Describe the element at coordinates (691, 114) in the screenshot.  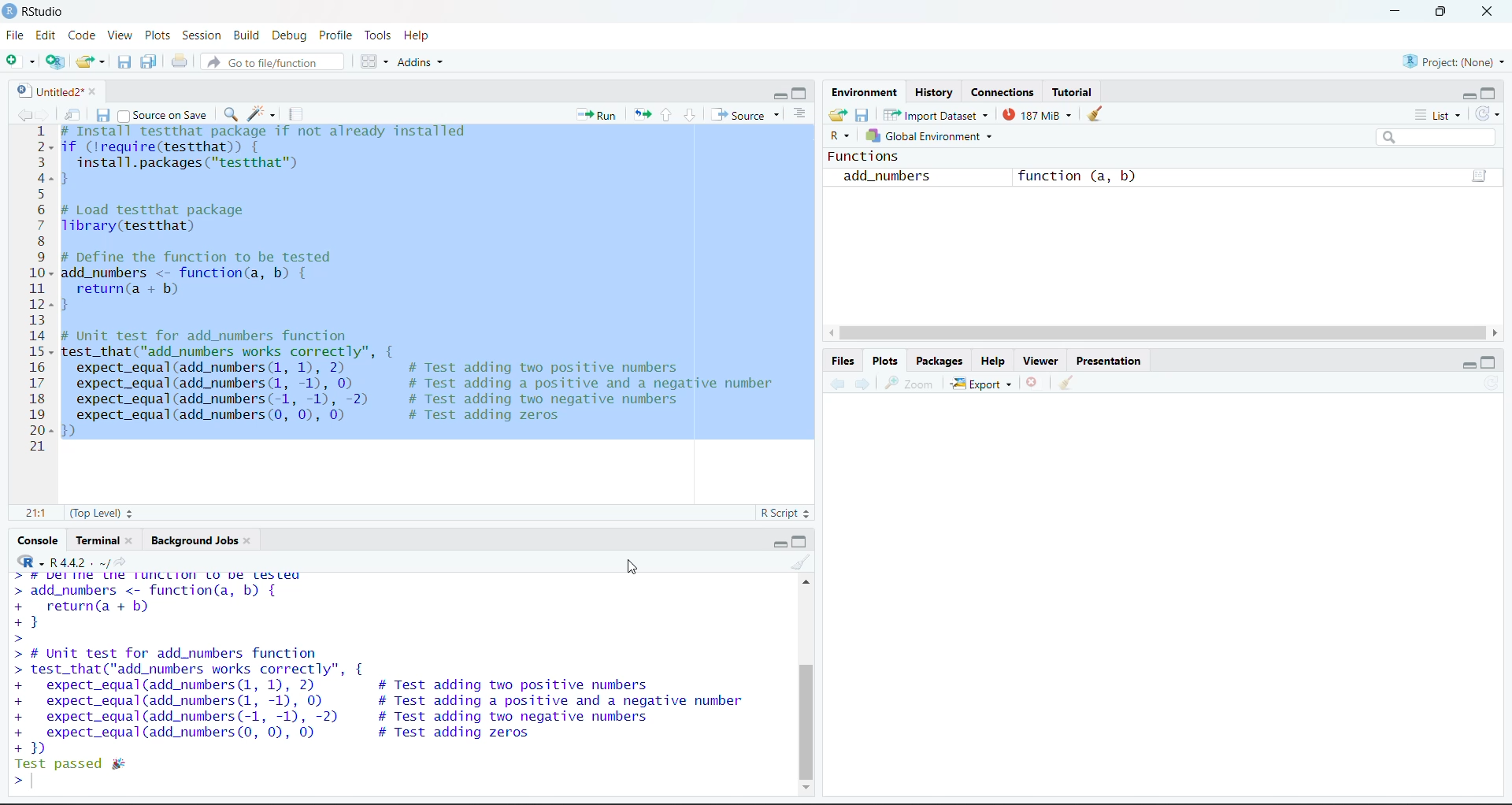
I see `go to next session of the chunk` at that location.